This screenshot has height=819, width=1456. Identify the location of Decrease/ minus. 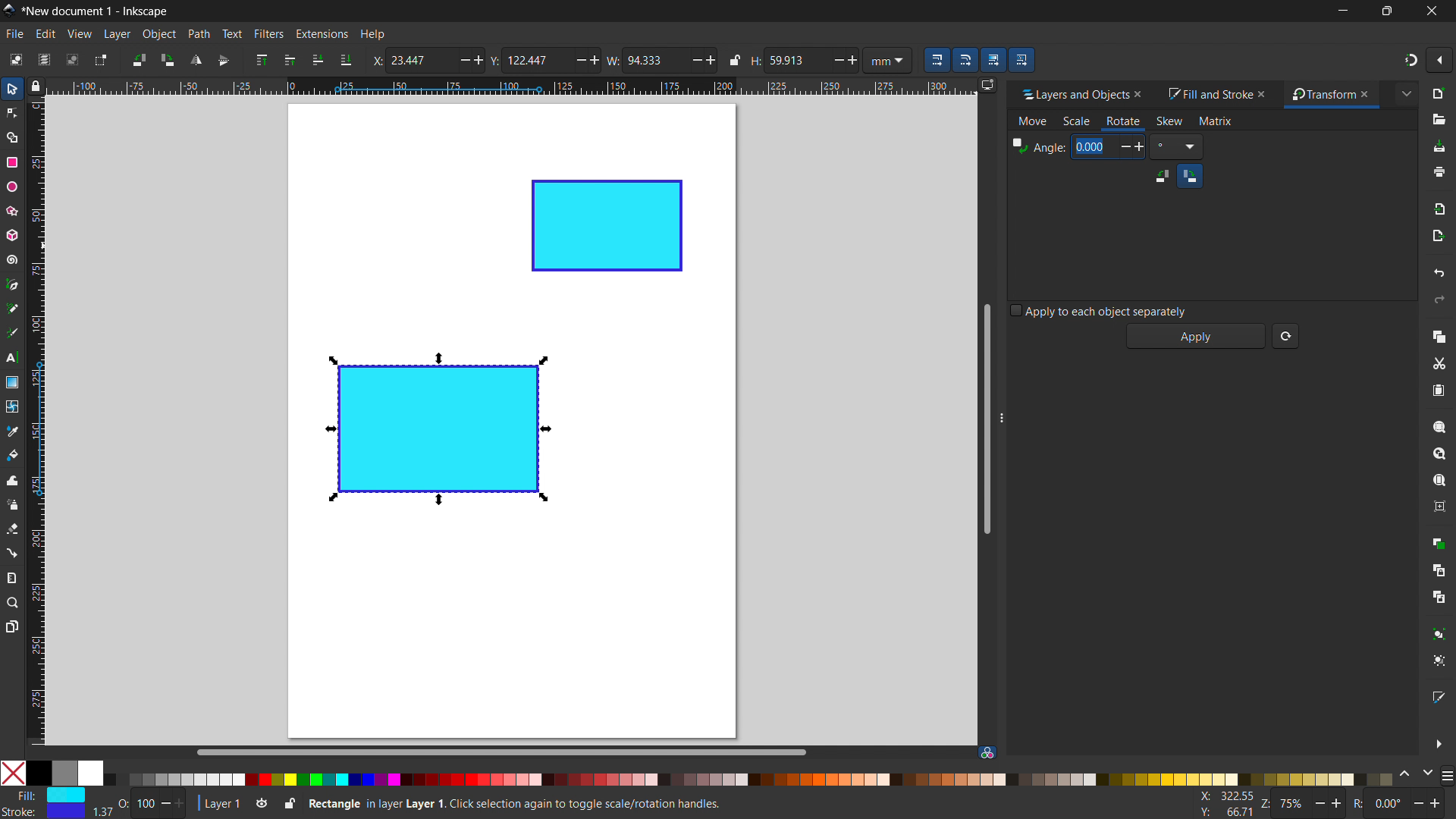
(833, 59).